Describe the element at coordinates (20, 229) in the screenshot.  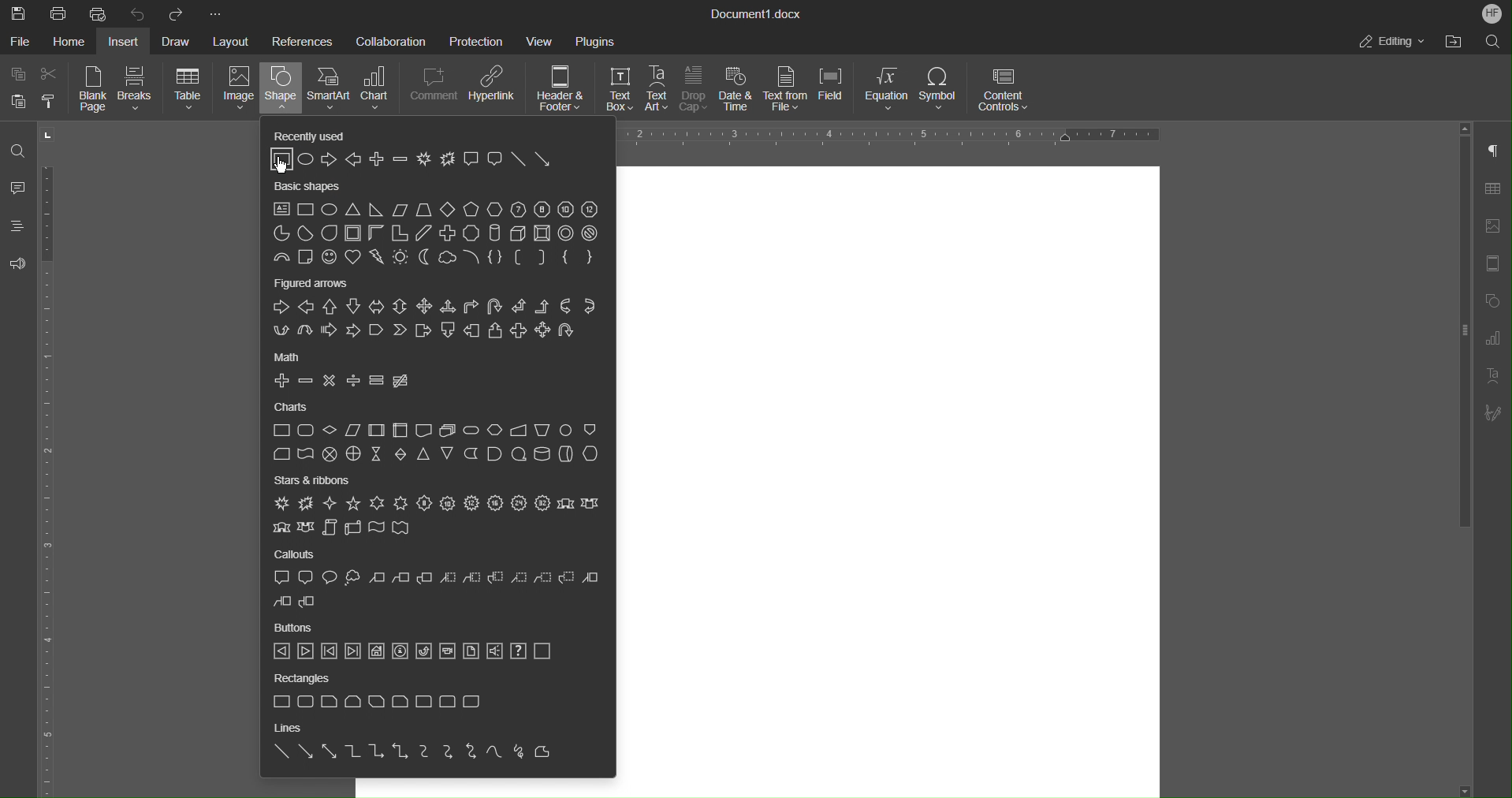
I see `Headings` at that location.